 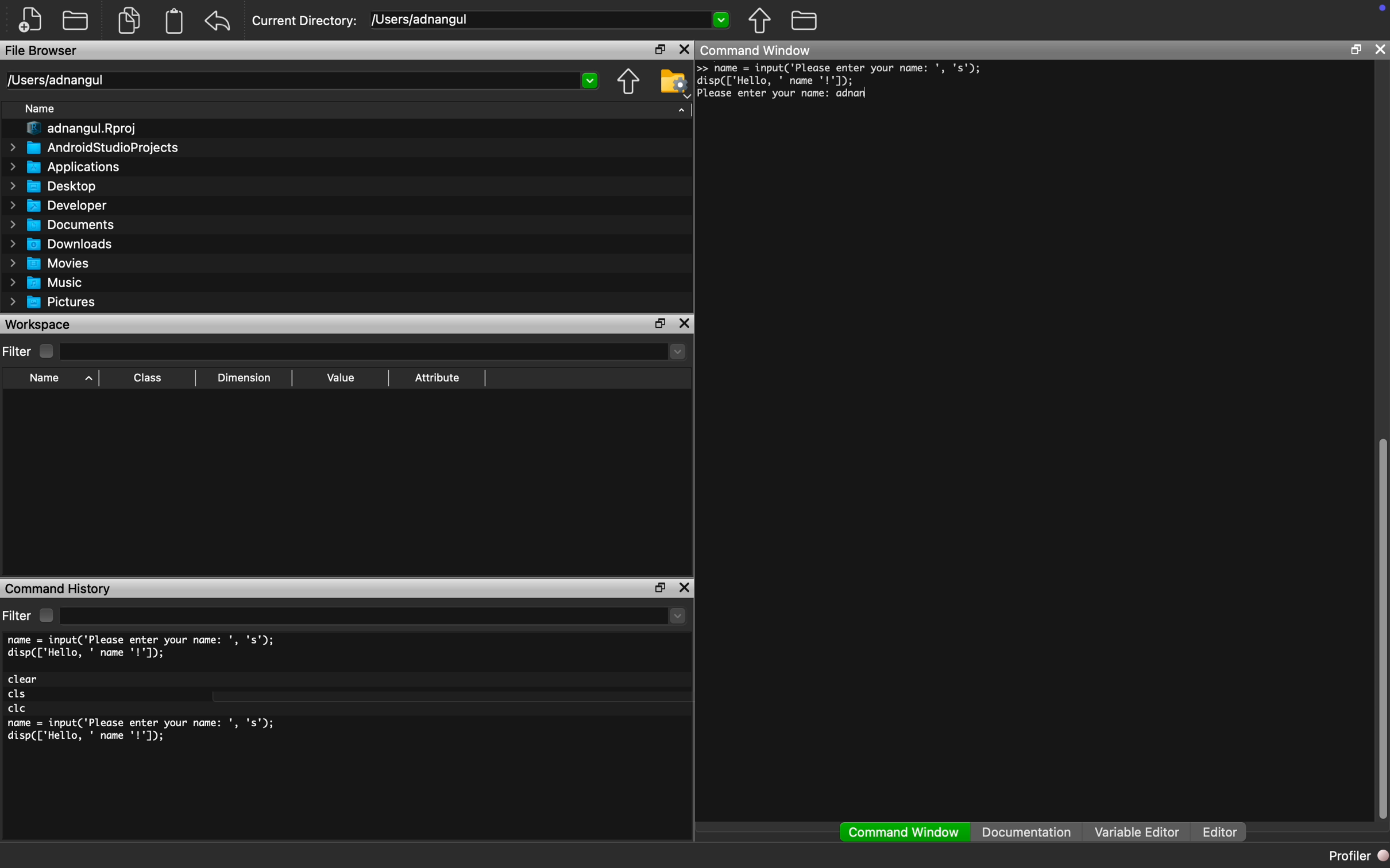 What do you see at coordinates (760, 21) in the screenshot?
I see `previous file` at bounding box center [760, 21].